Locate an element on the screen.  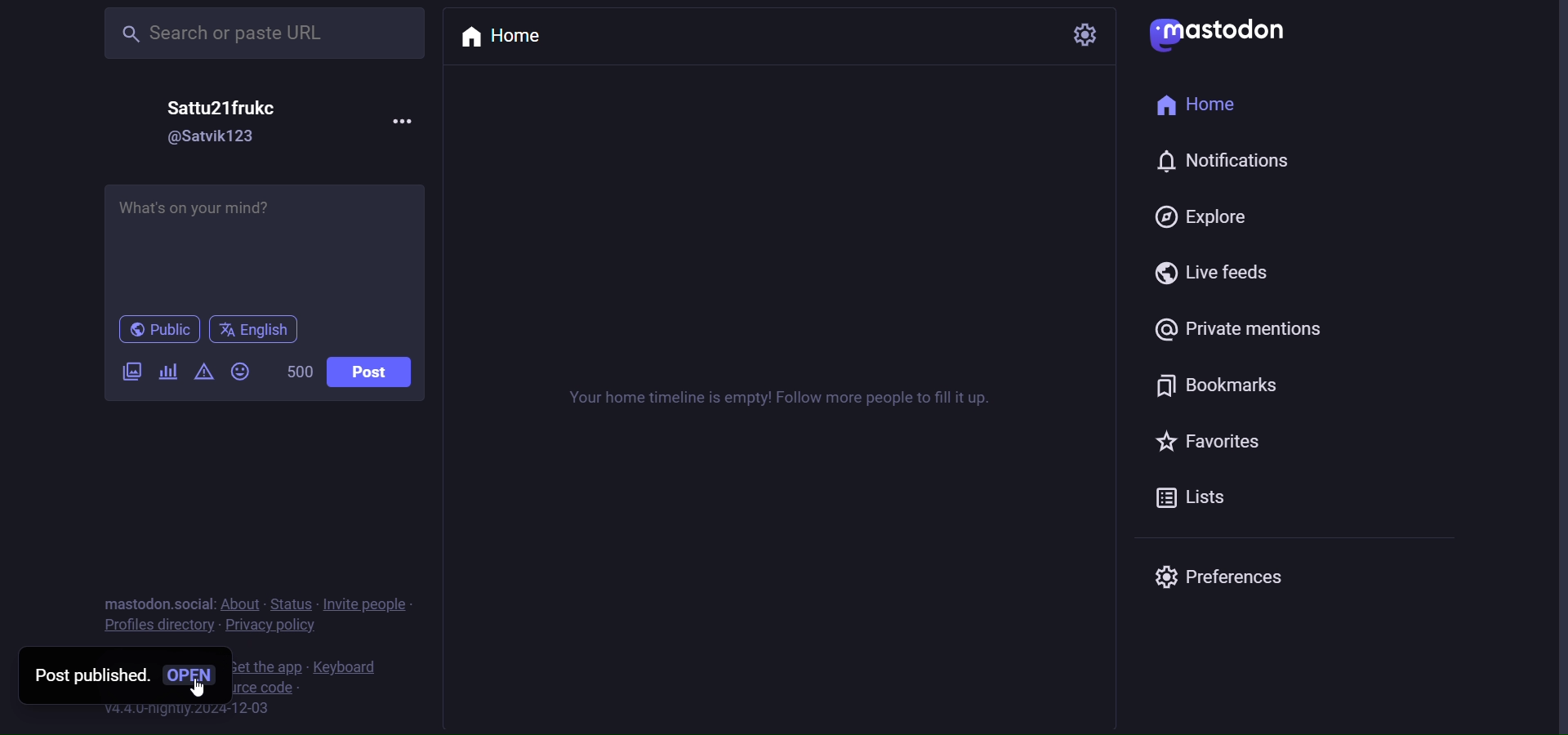
mastodon is located at coordinates (1226, 32).